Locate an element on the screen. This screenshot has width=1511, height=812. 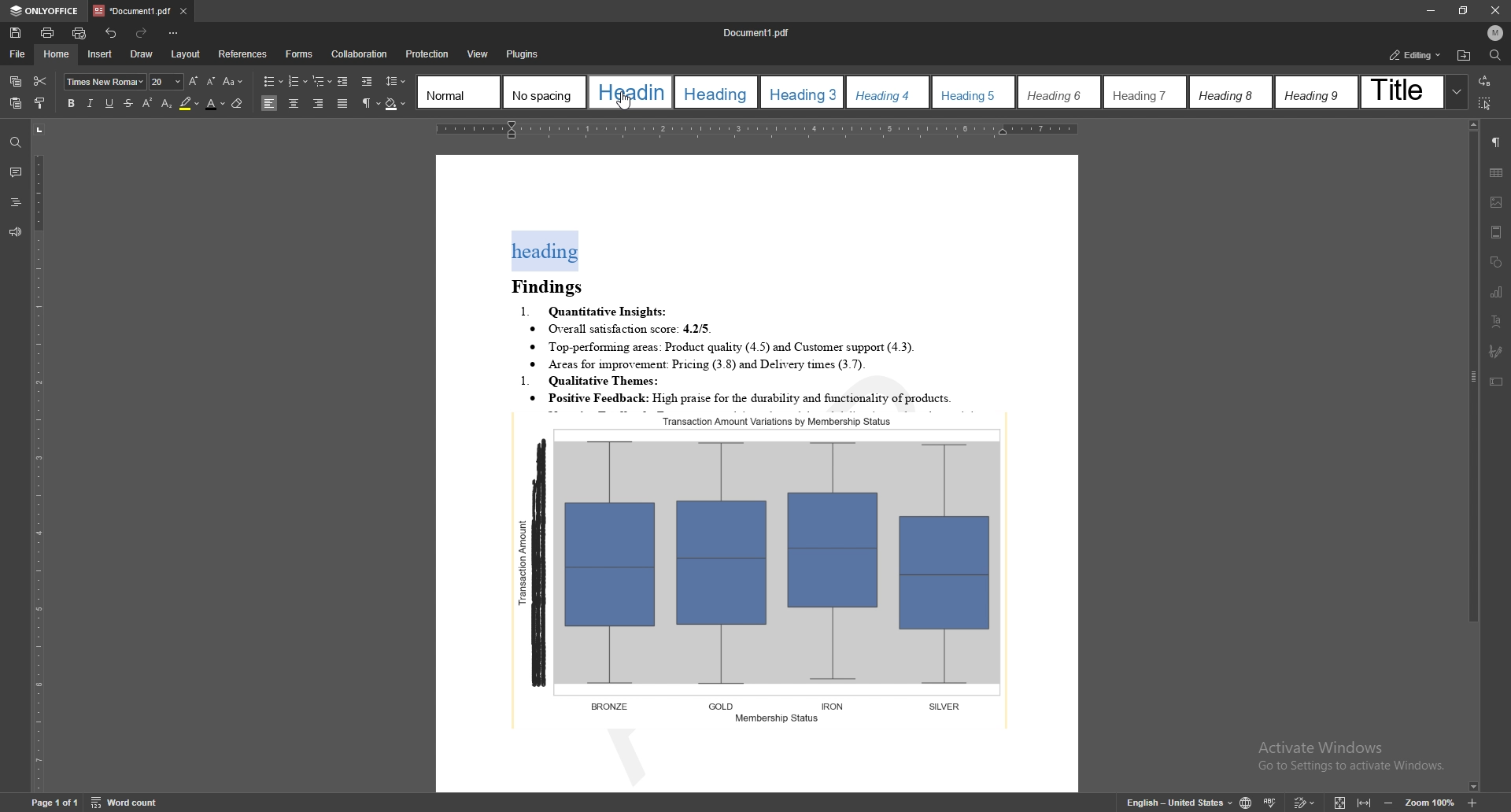
expand is located at coordinates (1456, 91).